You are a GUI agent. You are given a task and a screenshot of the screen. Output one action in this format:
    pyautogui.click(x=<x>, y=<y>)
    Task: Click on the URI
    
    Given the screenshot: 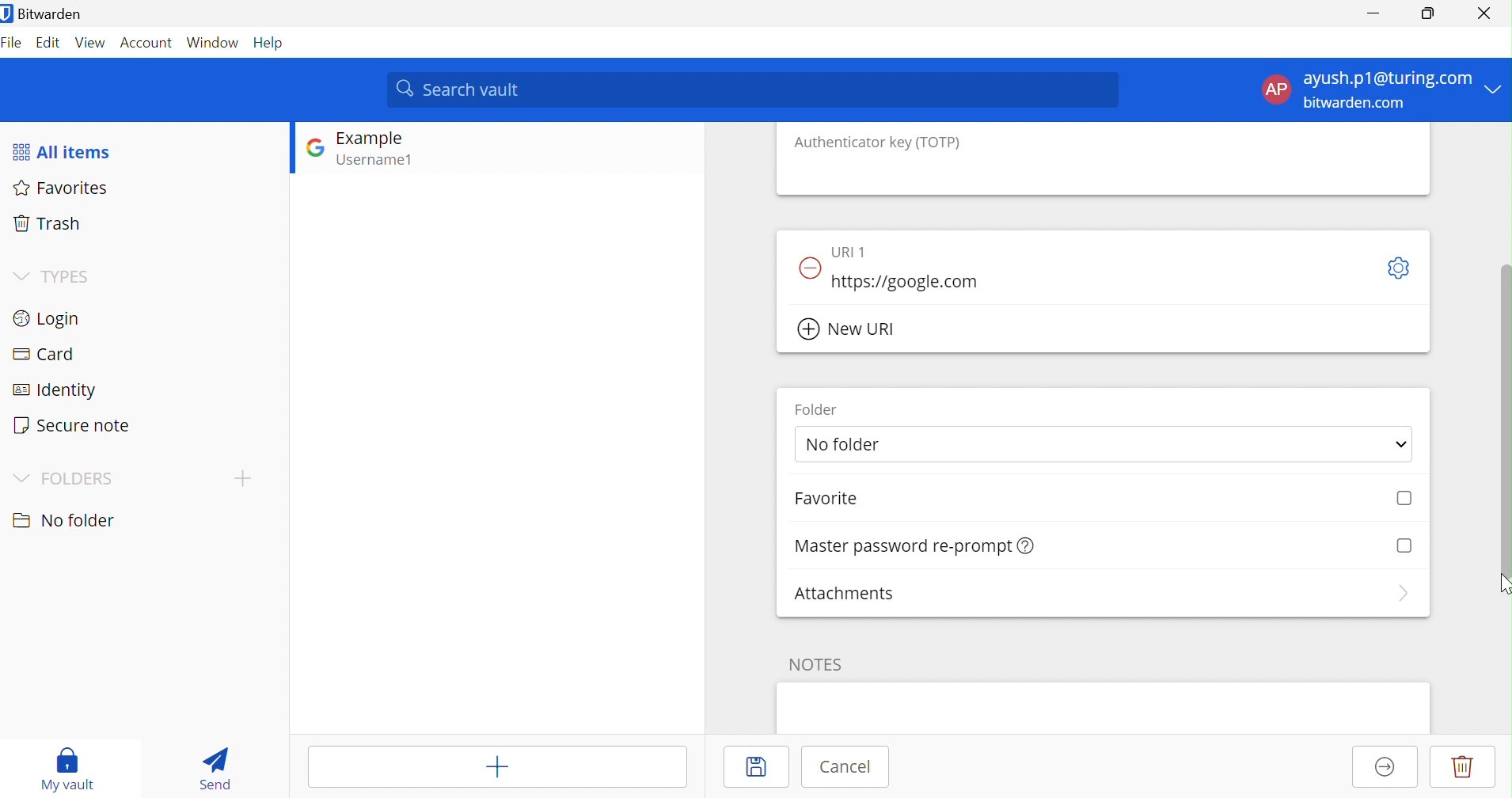 What is the action you would take?
    pyautogui.click(x=852, y=249)
    